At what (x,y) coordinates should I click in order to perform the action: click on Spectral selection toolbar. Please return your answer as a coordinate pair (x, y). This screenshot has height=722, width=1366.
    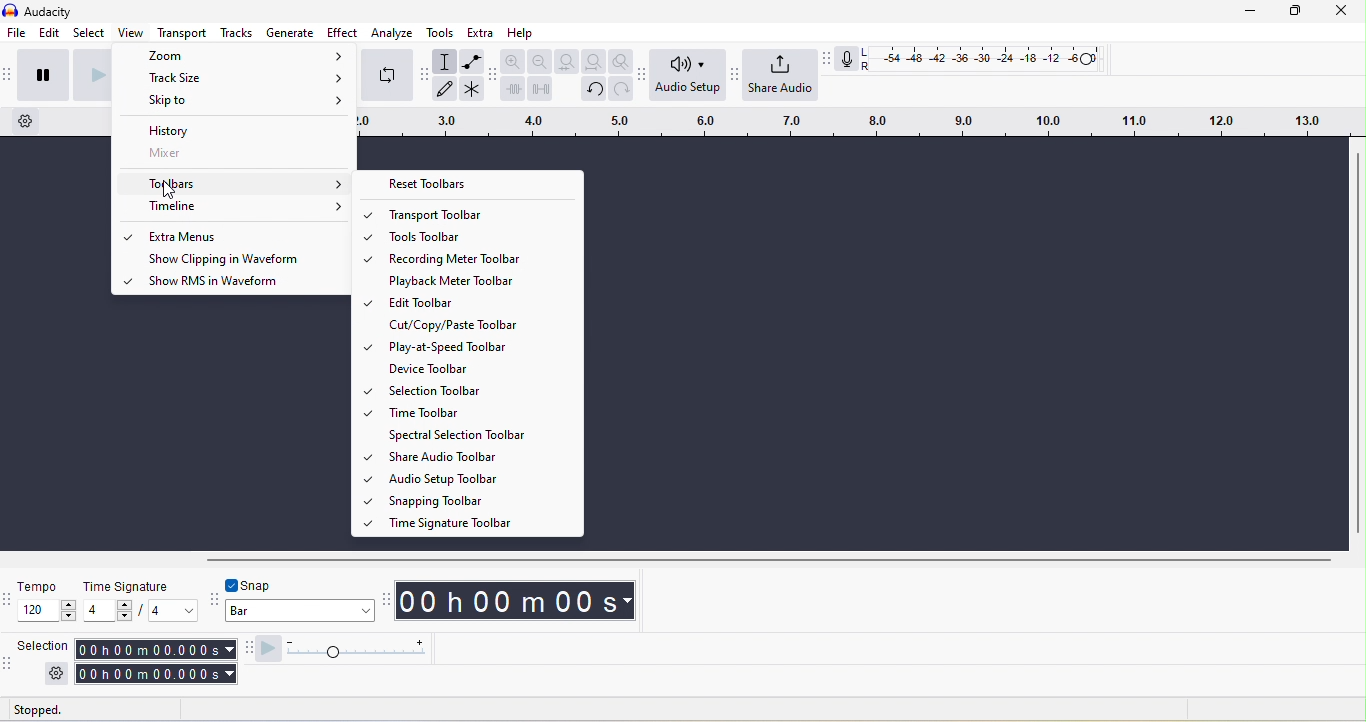
    Looking at the image, I should click on (480, 435).